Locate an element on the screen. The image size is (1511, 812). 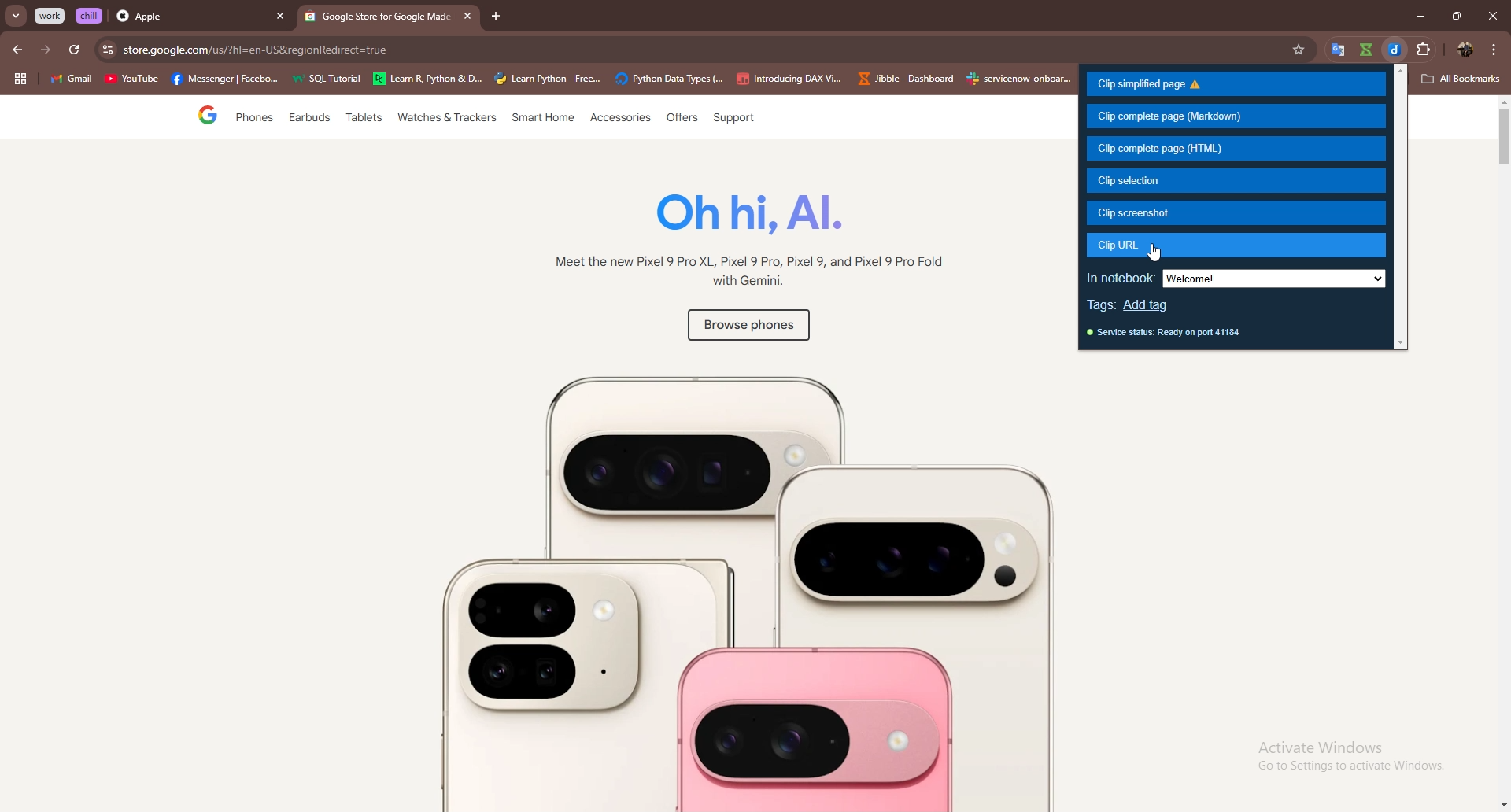
Offers is located at coordinates (681, 118).